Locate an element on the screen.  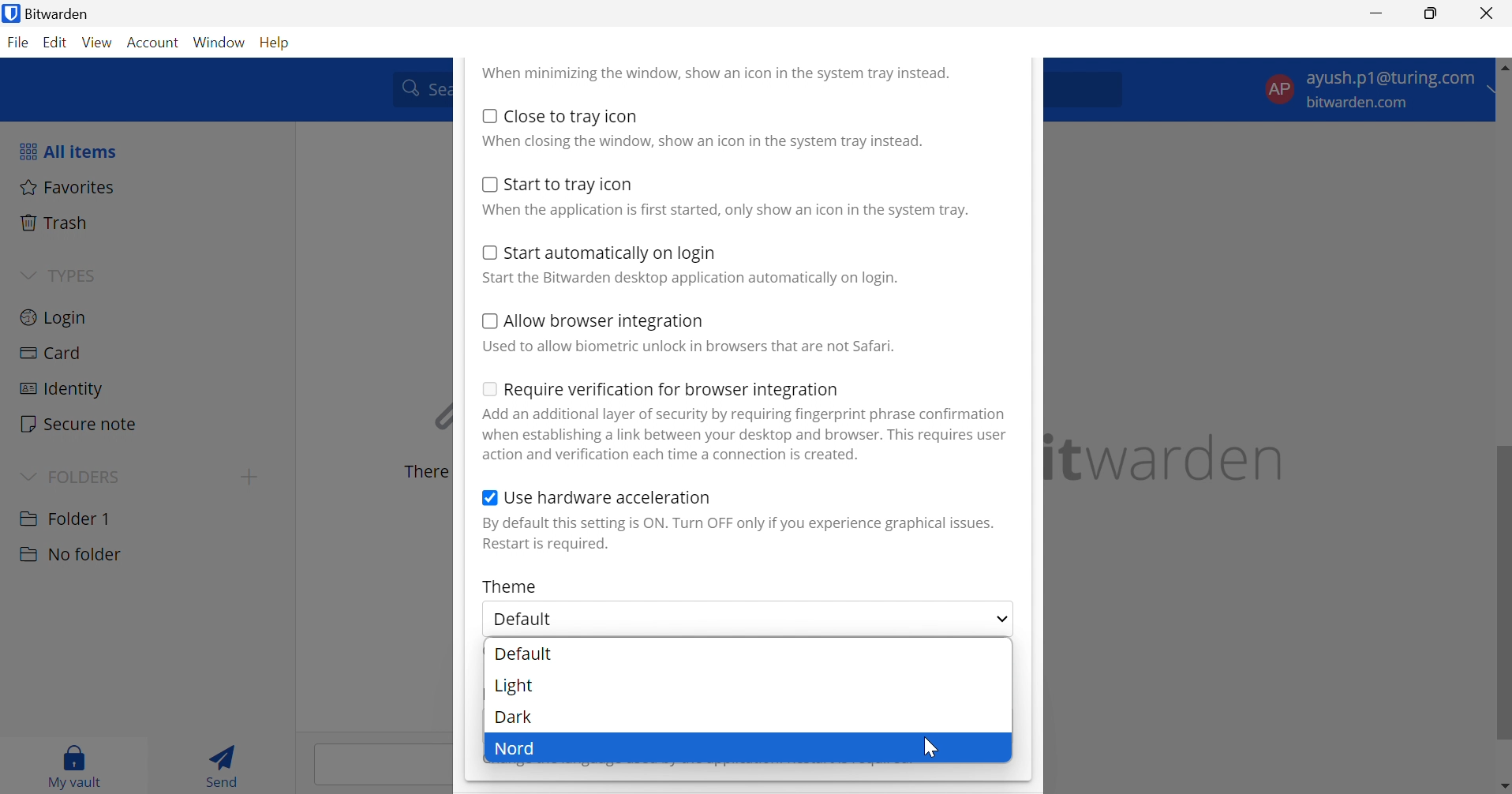
My vault is located at coordinates (75, 763).